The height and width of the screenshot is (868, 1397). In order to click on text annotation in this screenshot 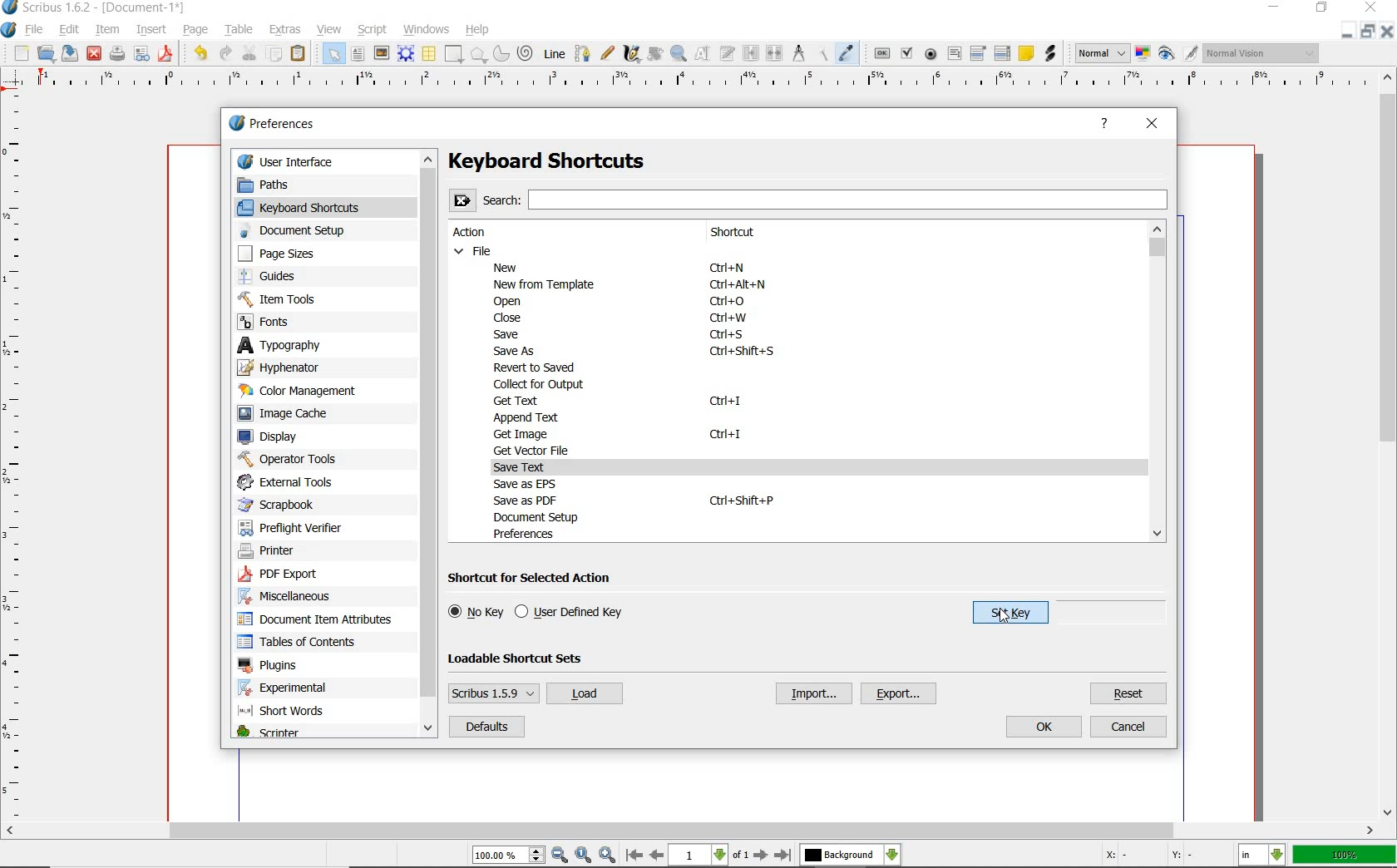, I will do `click(1026, 53)`.